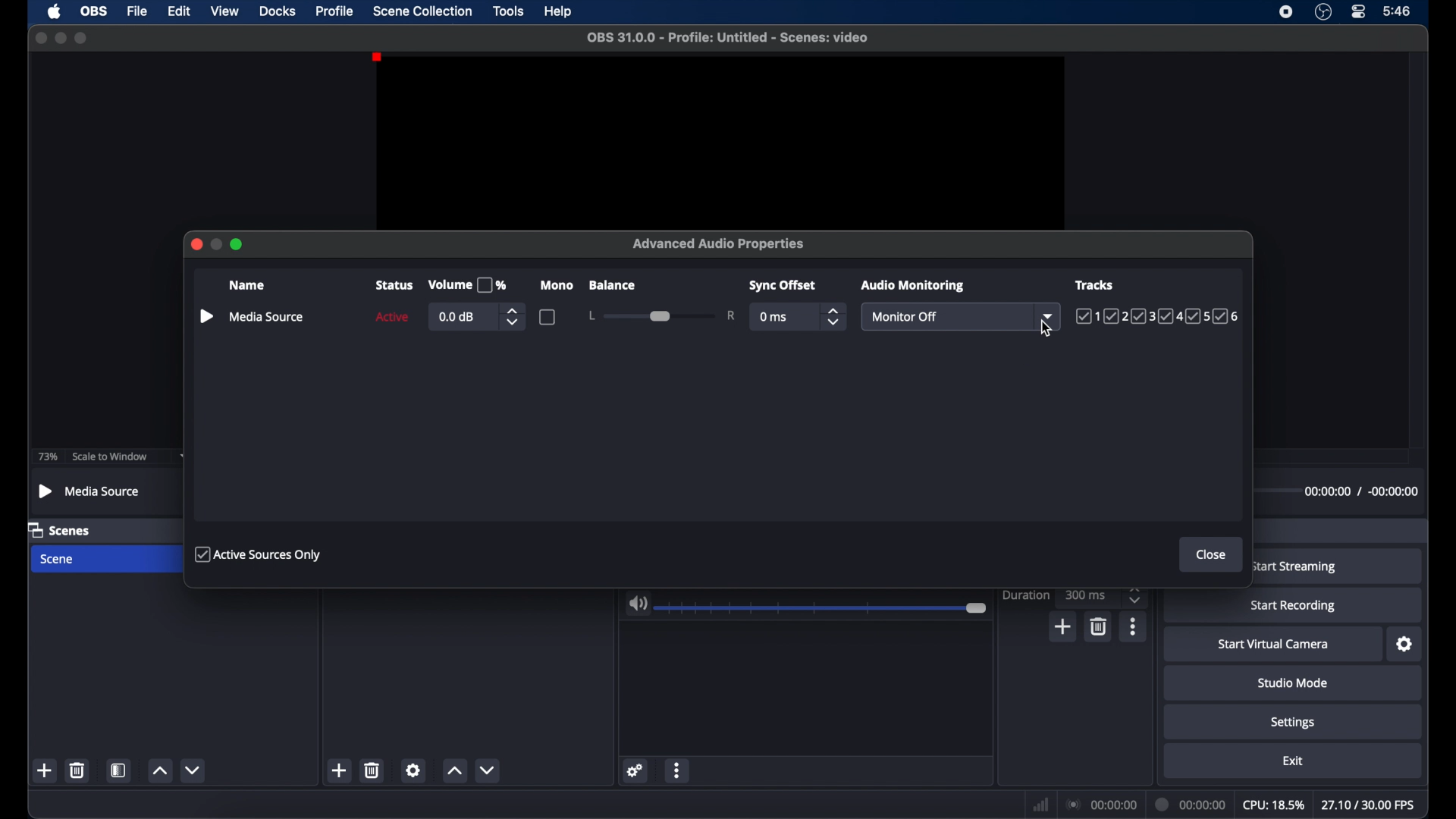 The height and width of the screenshot is (819, 1456). Describe the element at coordinates (726, 36) in the screenshot. I see `filename` at that location.